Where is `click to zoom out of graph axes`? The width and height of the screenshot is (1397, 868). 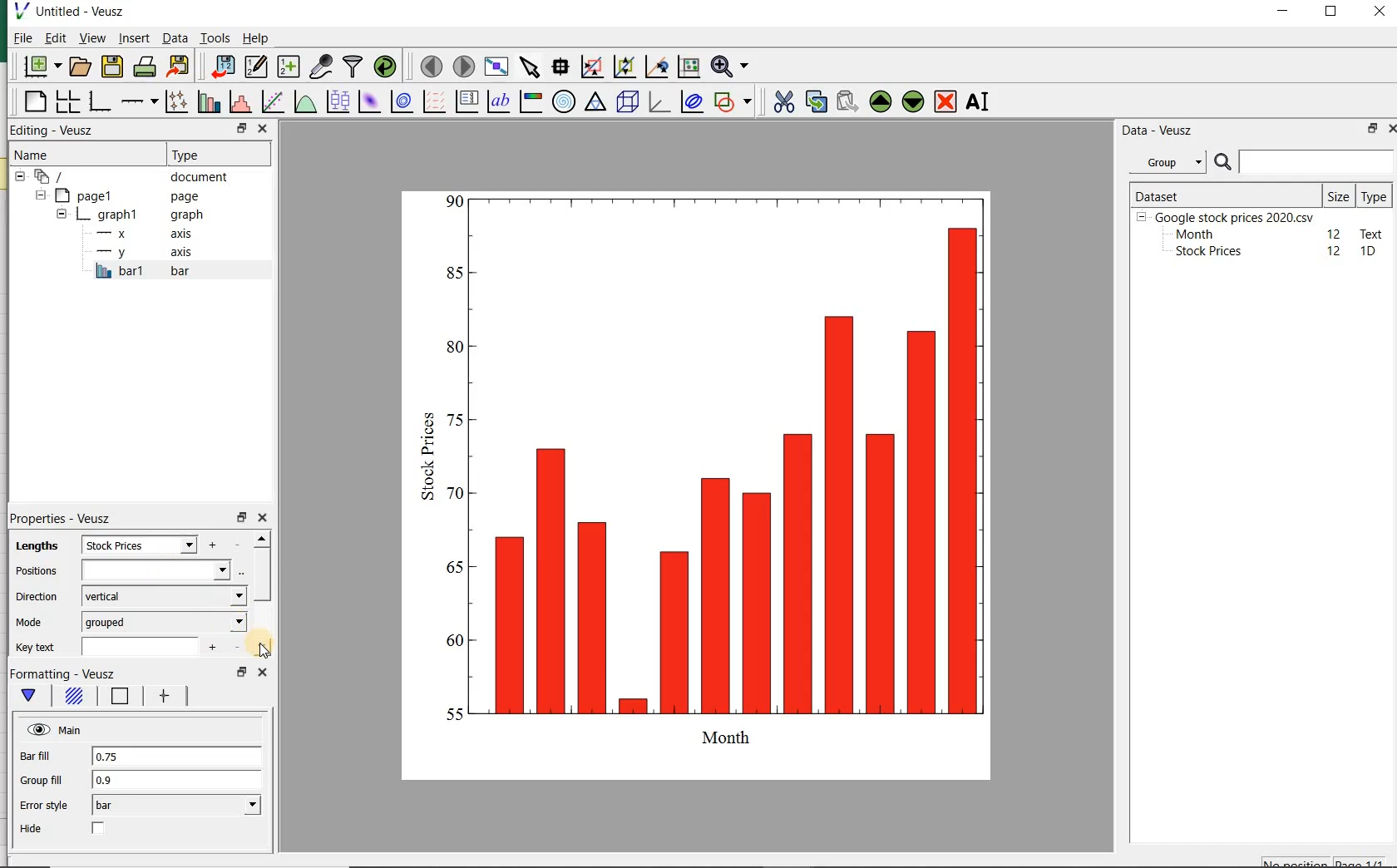
click to zoom out of graph axes is located at coordinates (623, 65).